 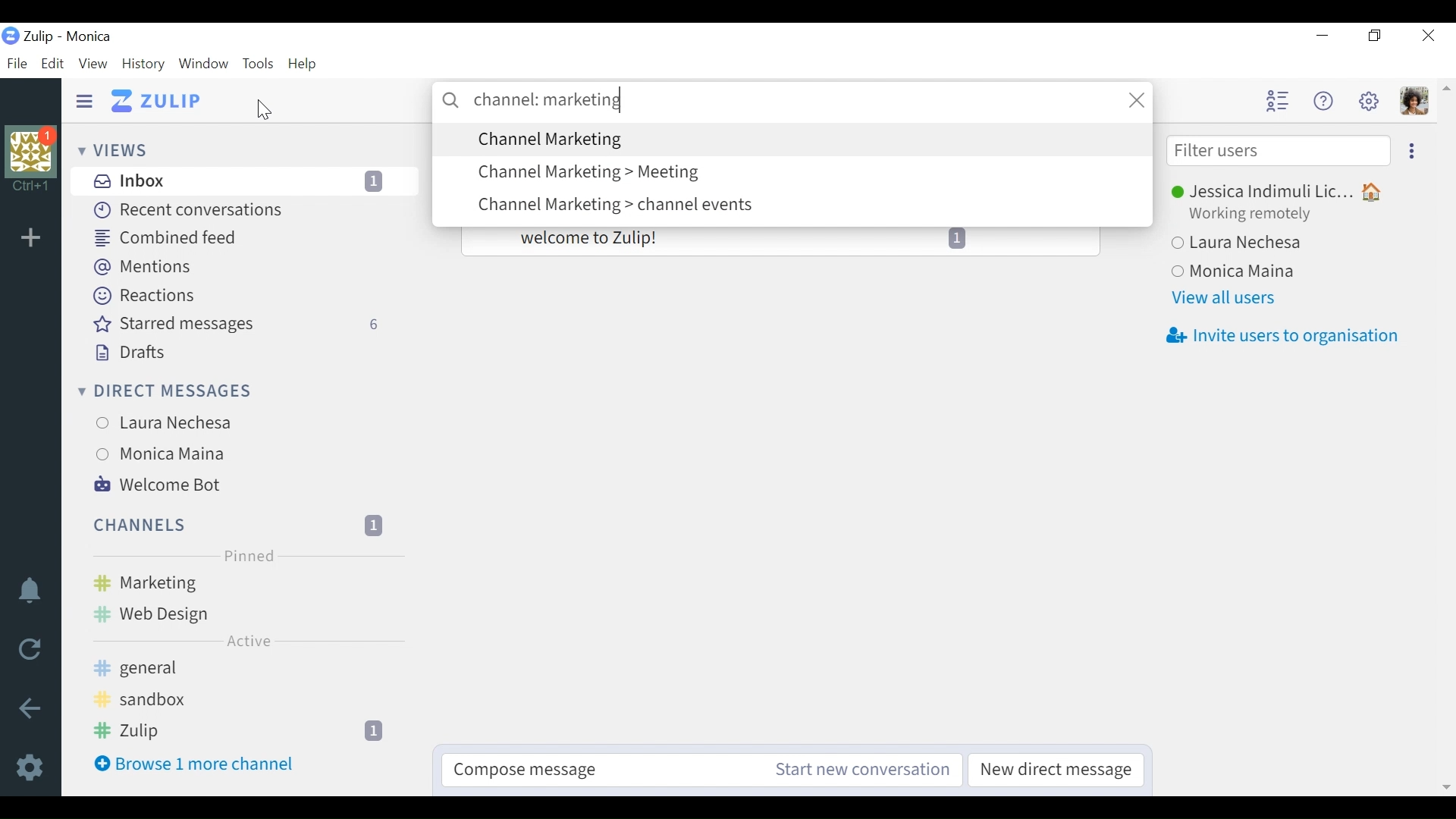 What do you see at coordinates (20, 64) in the screenshot?
I see `File` at bounding box center [20, 64].